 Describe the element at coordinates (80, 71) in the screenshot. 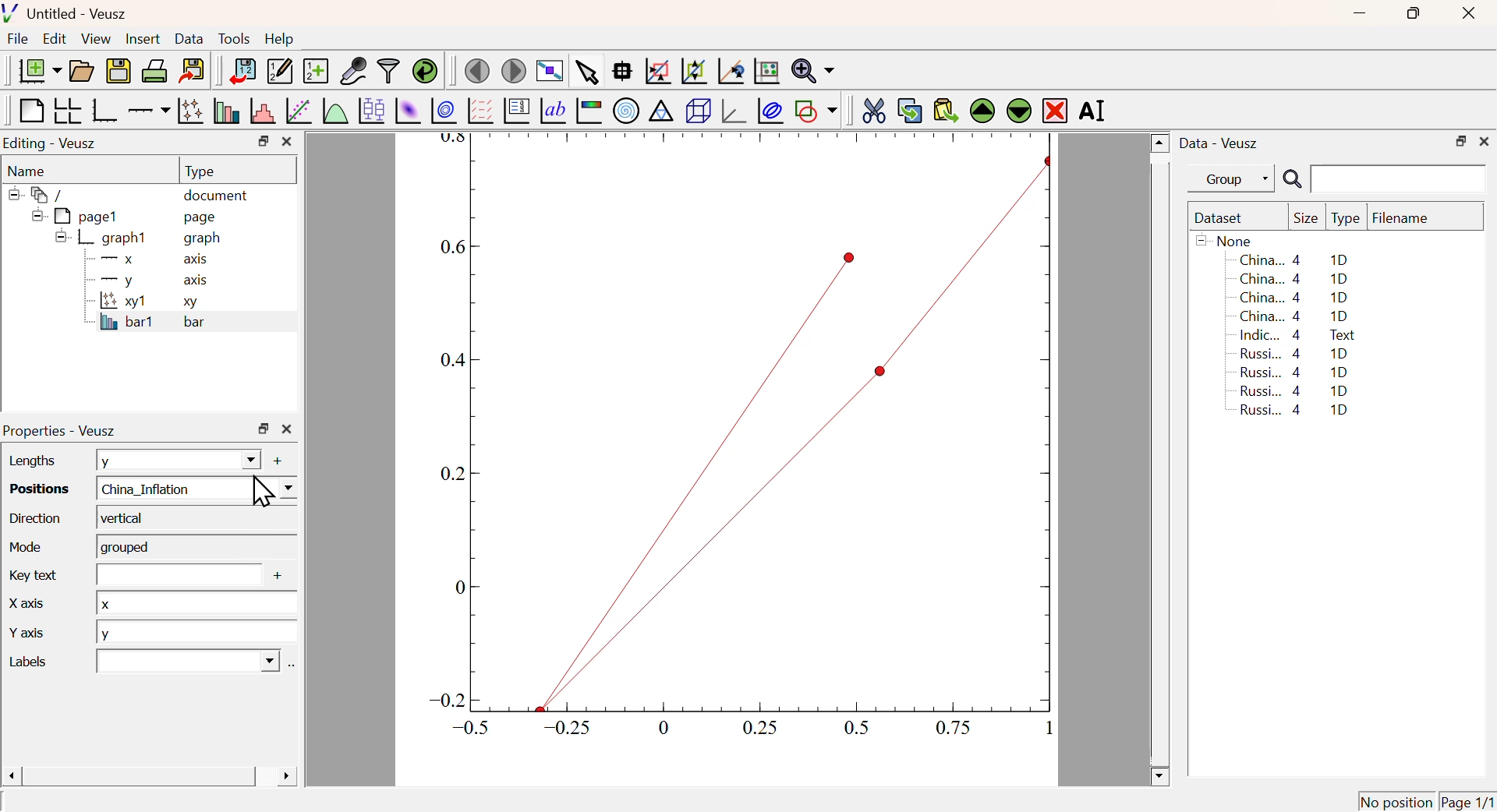

I see `Open a document` at that location.